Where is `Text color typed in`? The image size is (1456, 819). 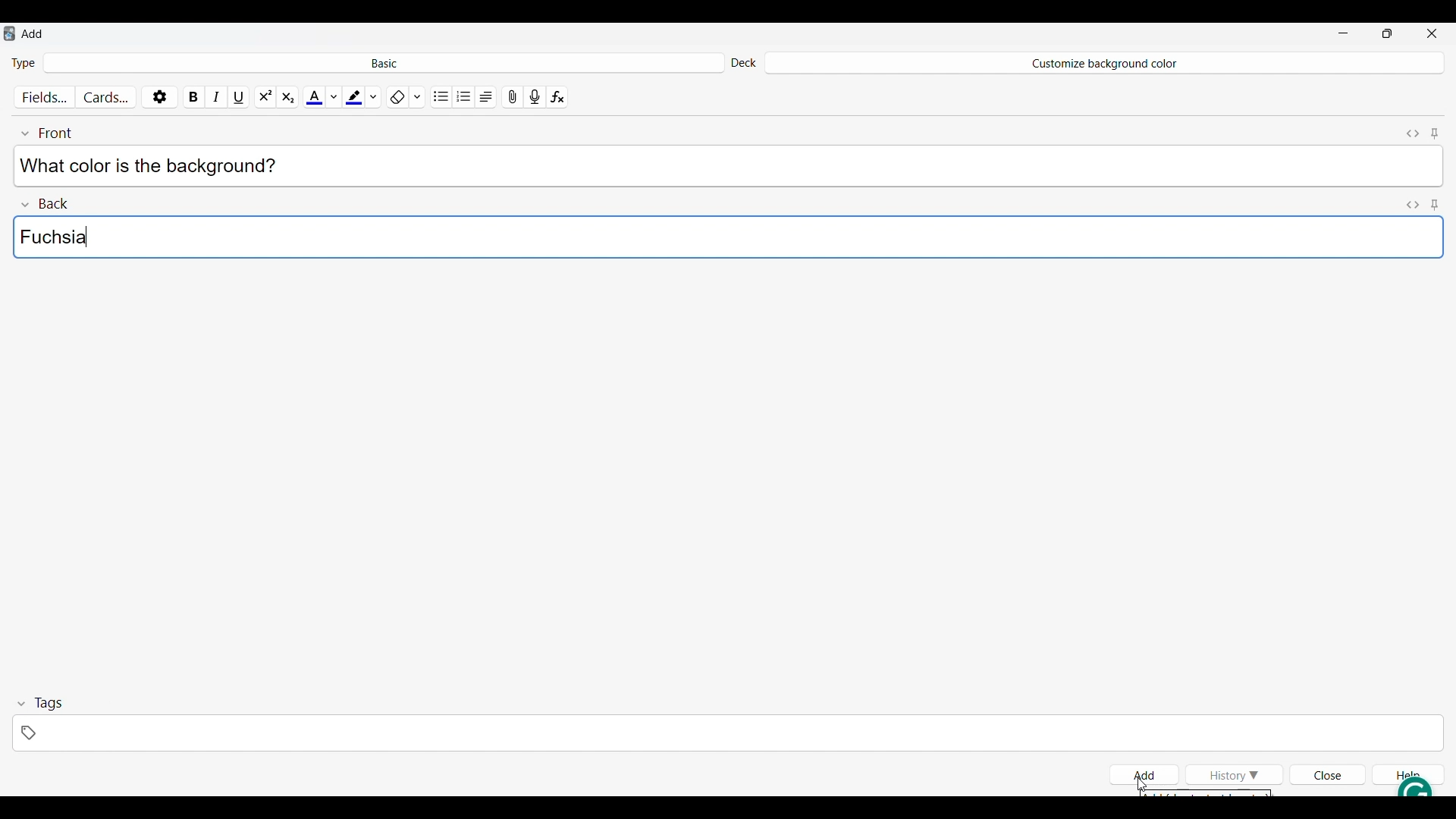 Text color typed in is located at coordinates (52, 237).